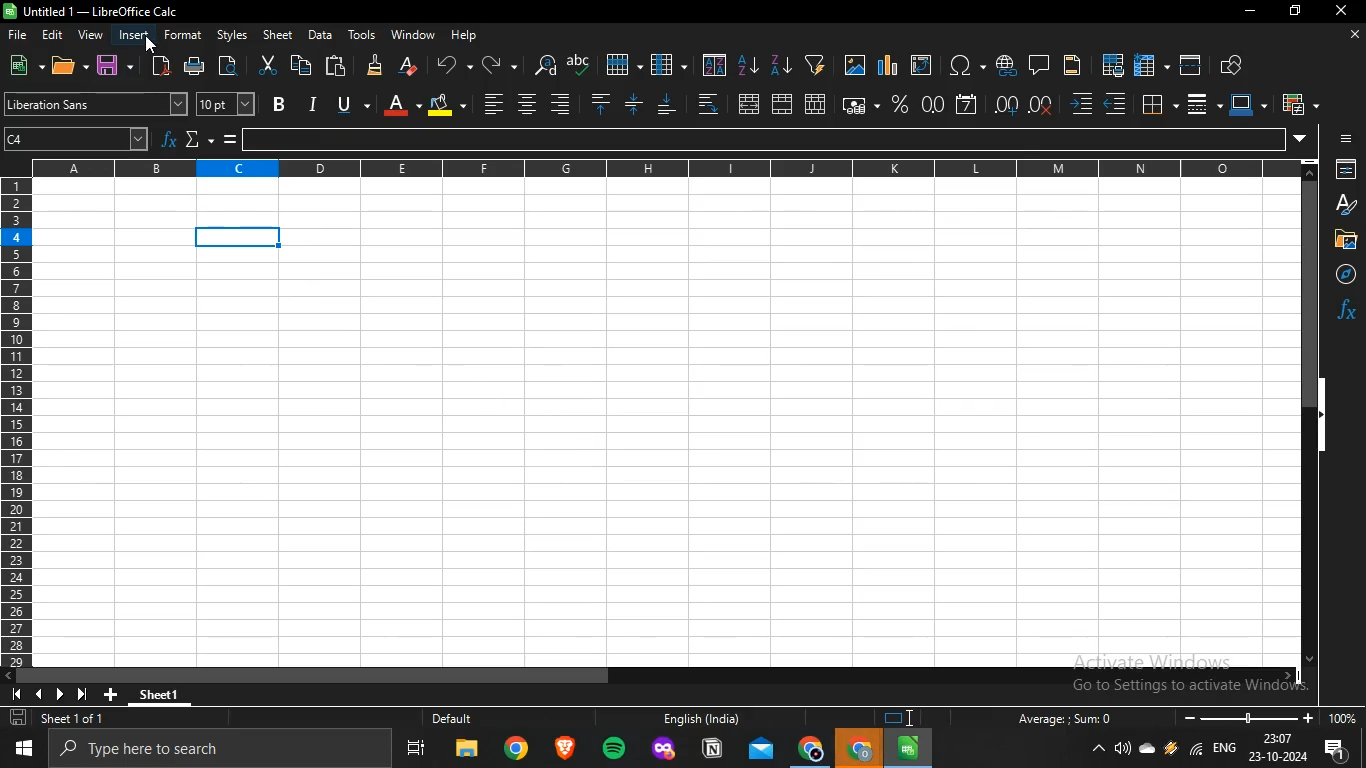  Describe the element at coordinates (184, 34) in the screenshot. I see `format` at that location.